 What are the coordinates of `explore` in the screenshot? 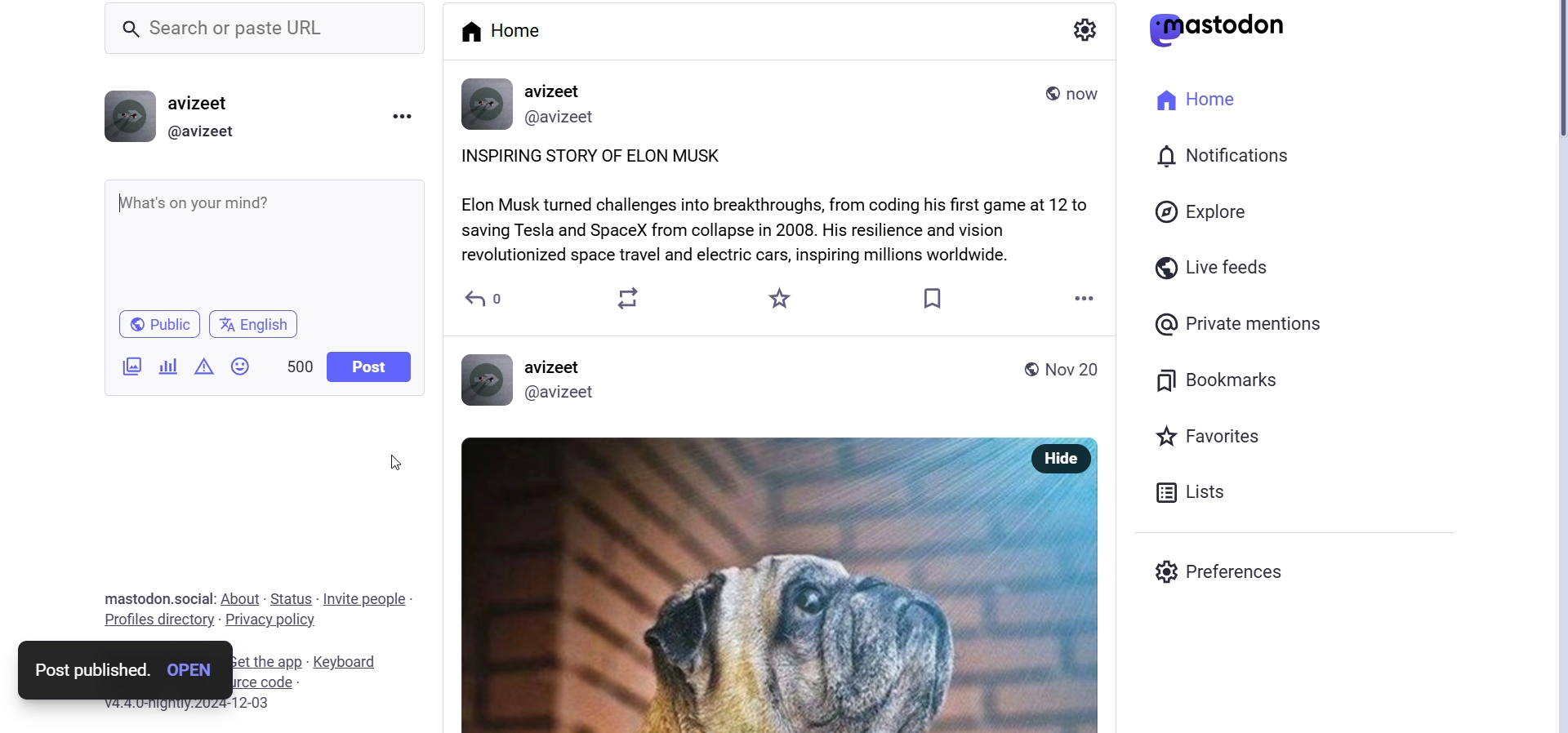 It's located at (1200, 212).